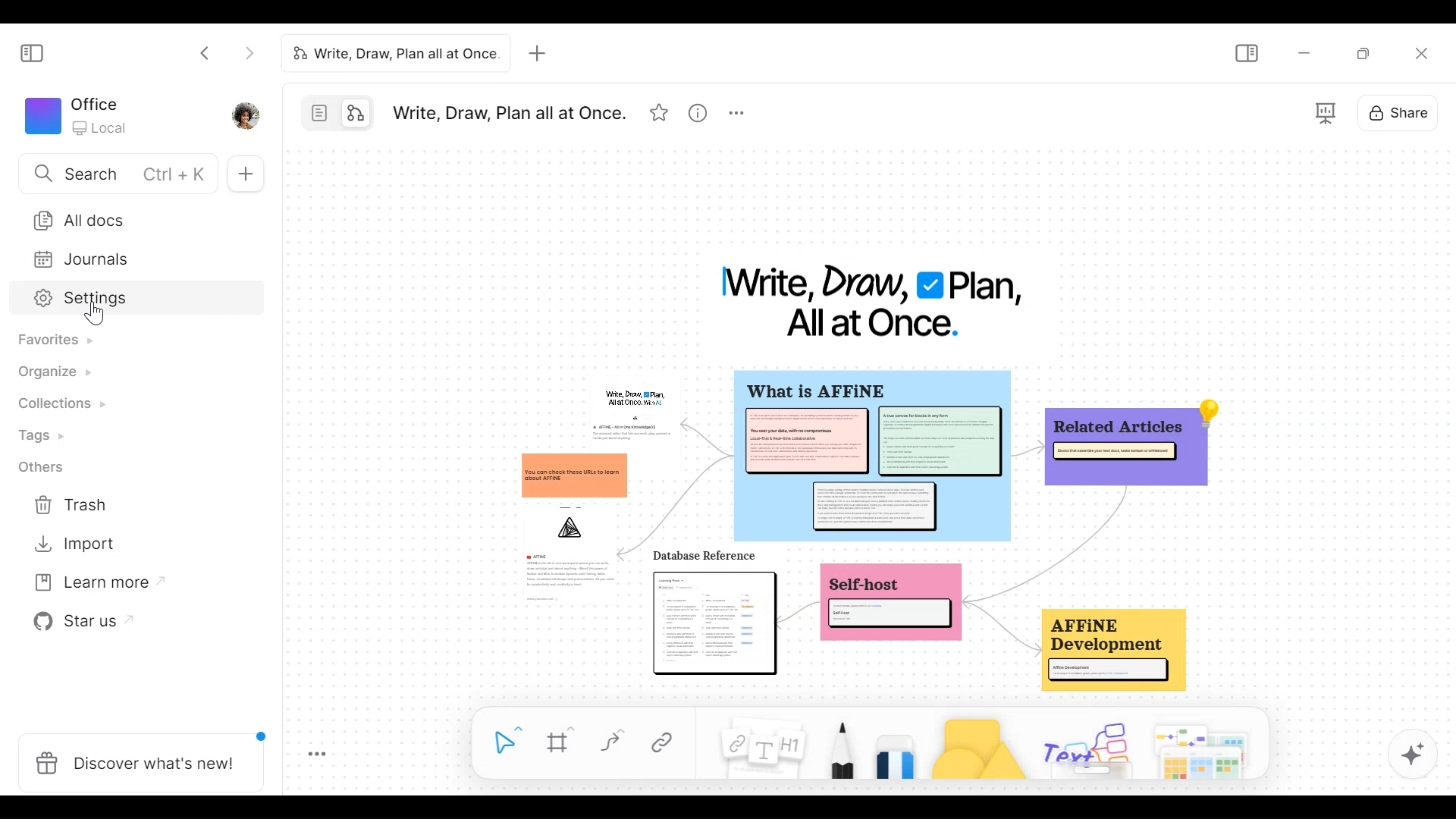 The height and width of the screenshot is (819, 1456). What do you see at coordinates (43, 468) in the screenshot?
I see `Other` at bounding box center [43, 468].